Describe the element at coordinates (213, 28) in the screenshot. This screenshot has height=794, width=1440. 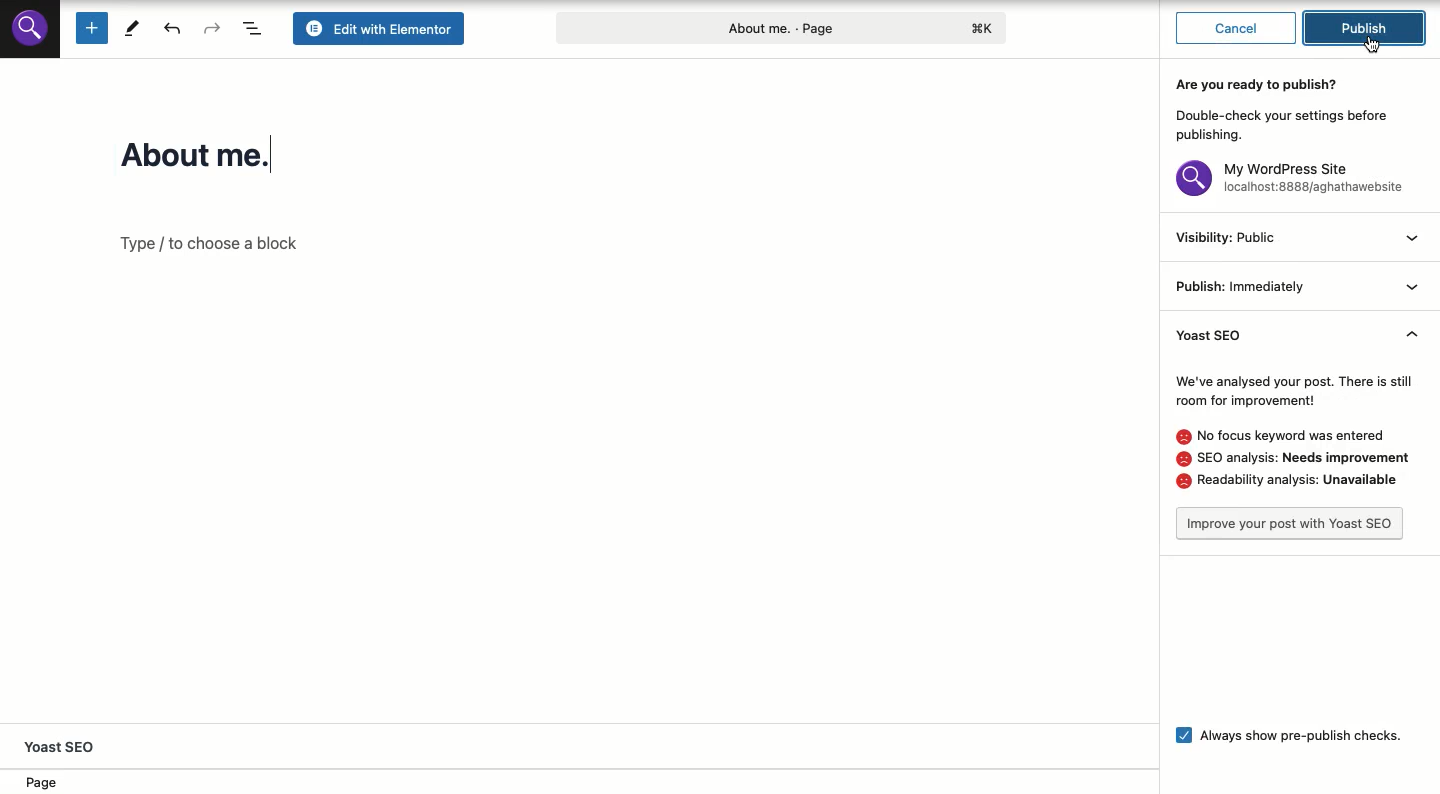
I see `Redo` at that location.